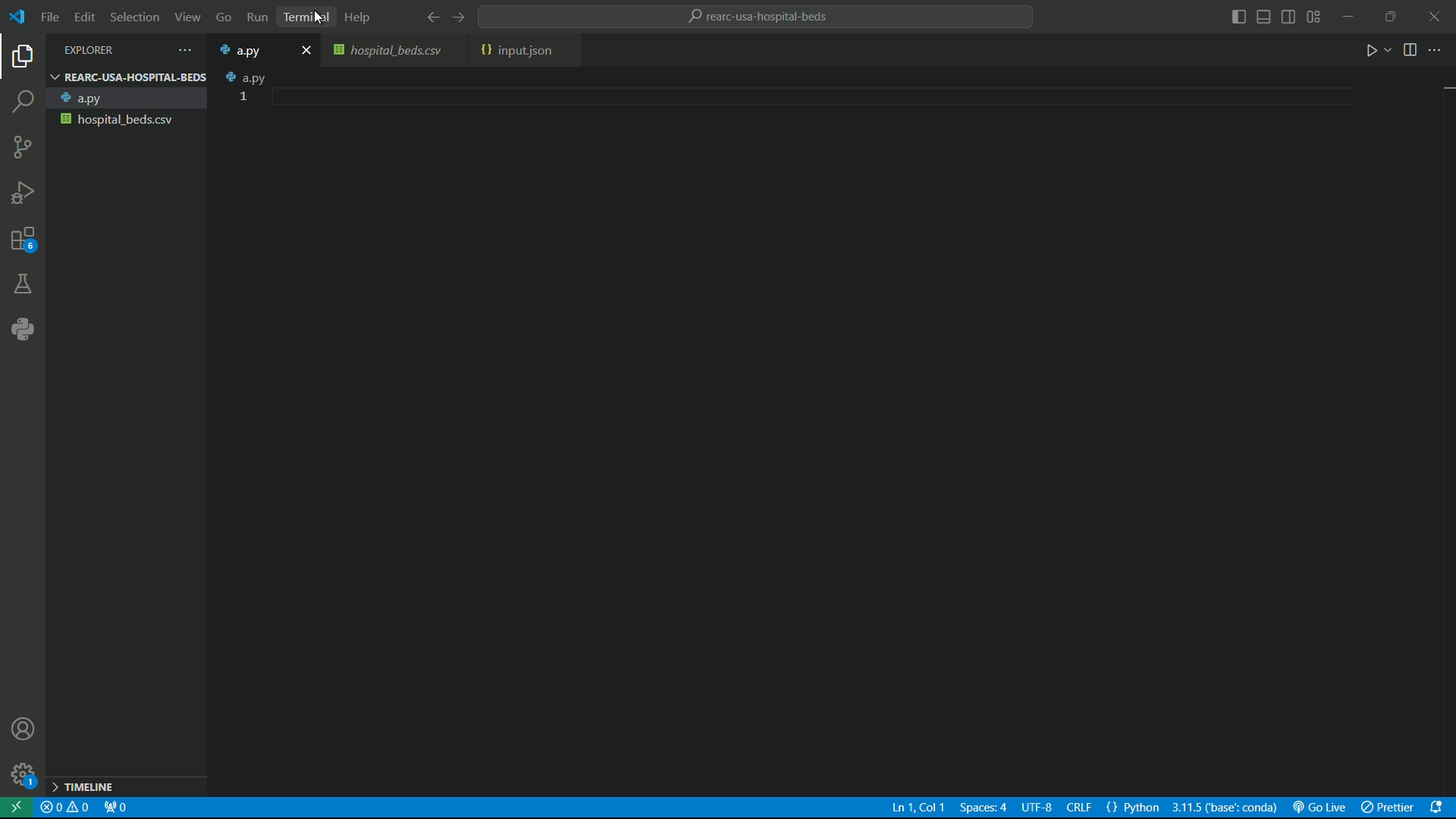 The width and height of the screenshot is (1456, 819). I want to click on run and debug, so click(23, 190).